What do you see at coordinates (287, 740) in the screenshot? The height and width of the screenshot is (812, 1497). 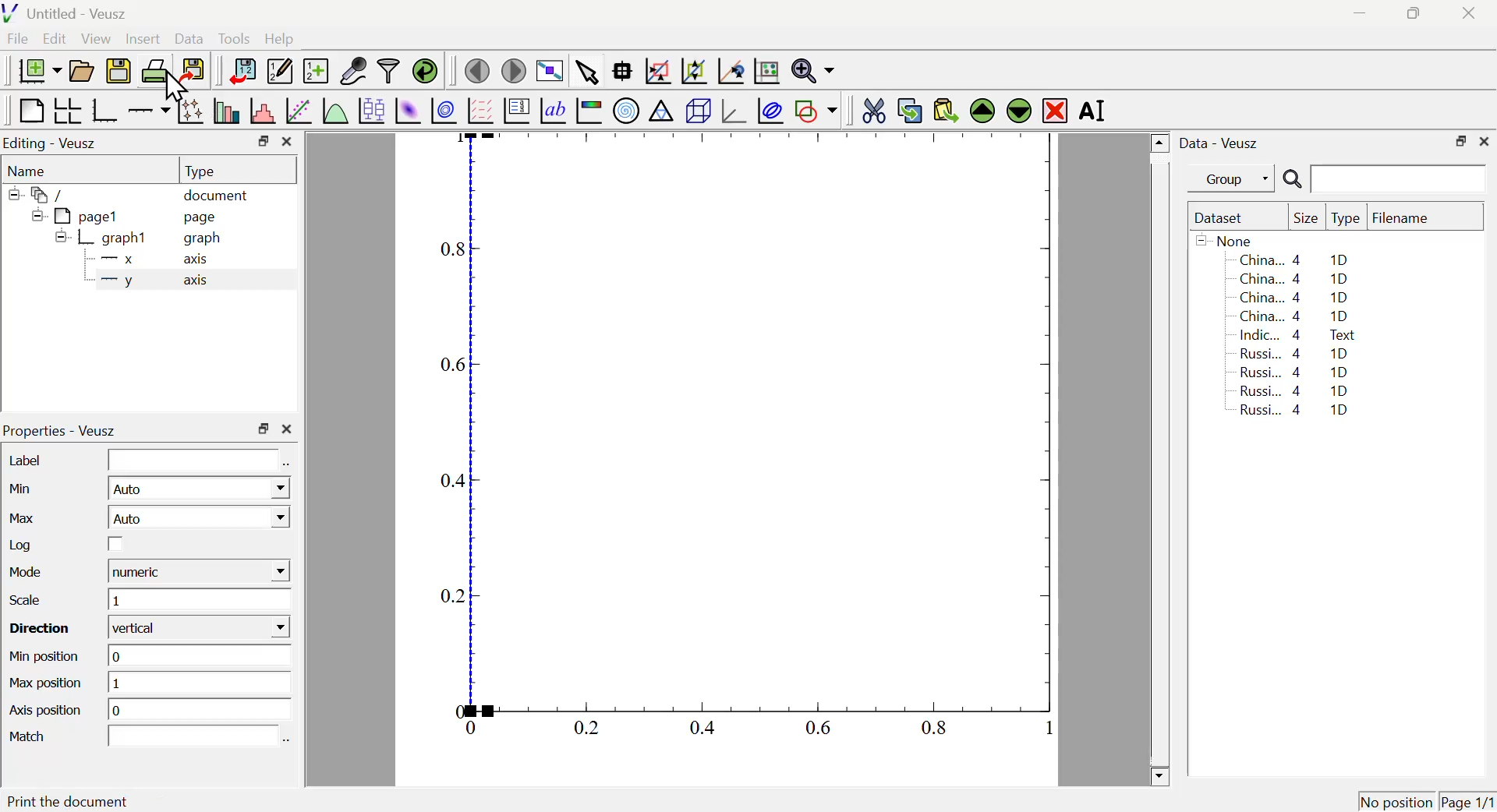 I see `Select using dataset Browser` at bounding box center [287, 740].